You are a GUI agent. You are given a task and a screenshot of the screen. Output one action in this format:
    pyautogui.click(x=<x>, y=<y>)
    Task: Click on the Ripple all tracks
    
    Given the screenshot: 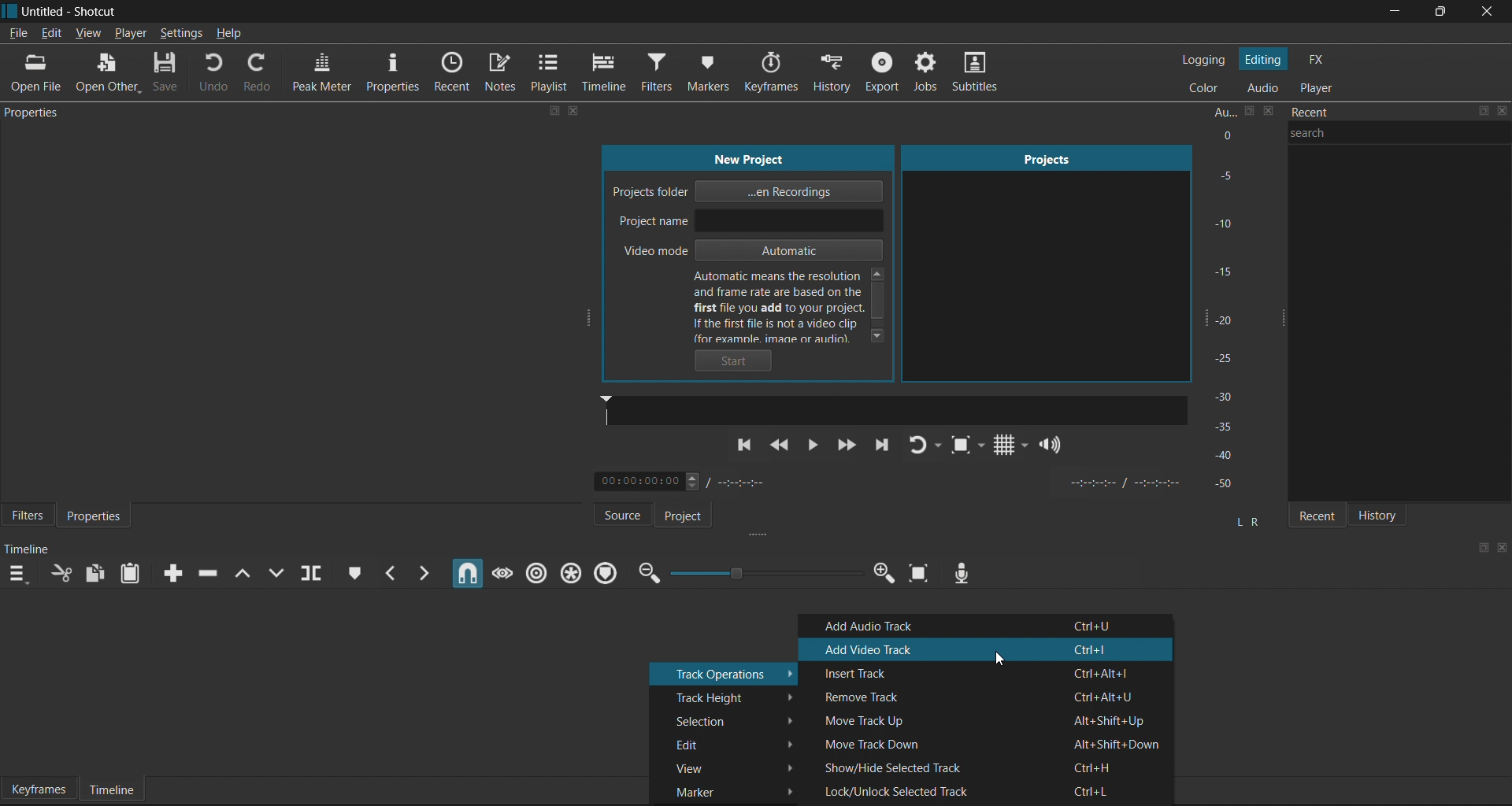 What is the action you would take?
    pyautogui.click(x=570, y=571)
    